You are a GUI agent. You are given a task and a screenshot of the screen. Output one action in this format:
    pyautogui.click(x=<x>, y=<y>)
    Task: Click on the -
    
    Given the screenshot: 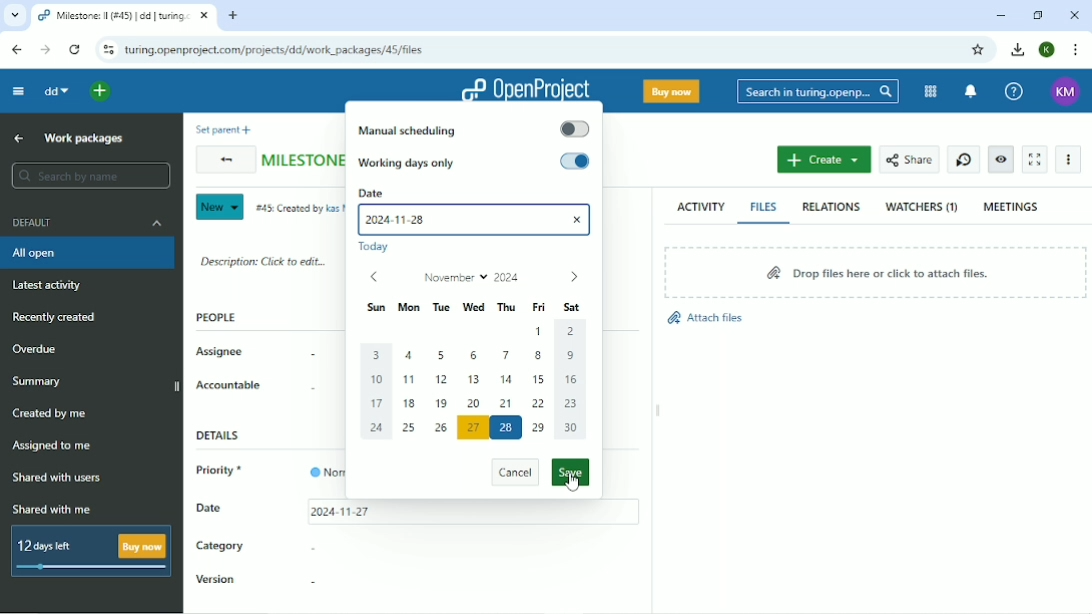 What is the action you would take?
    pyautogui.click(x=308, y=390)
    